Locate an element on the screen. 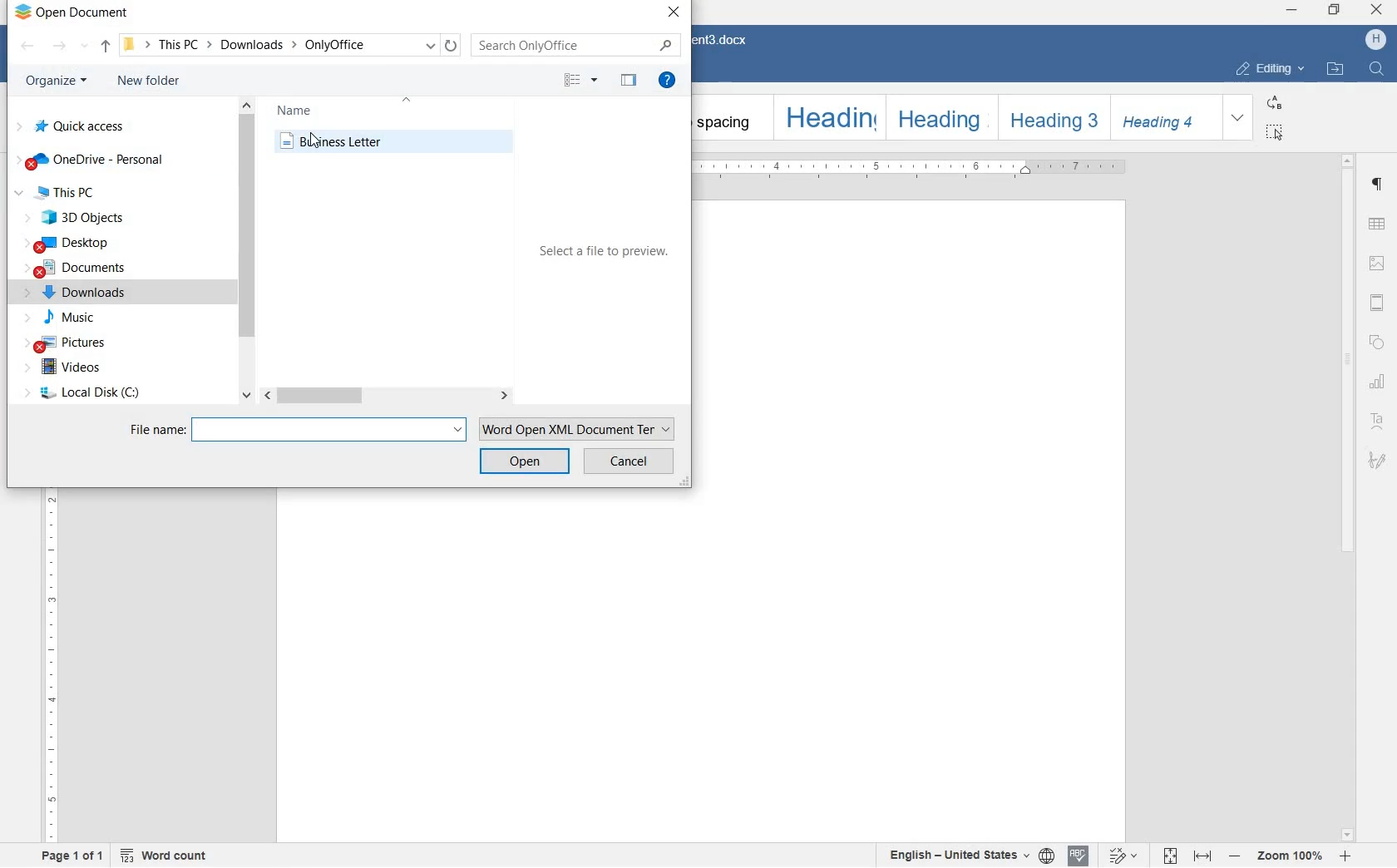 This screenshot has height=868, width=1397. file type is located at coordinates (575, 427).